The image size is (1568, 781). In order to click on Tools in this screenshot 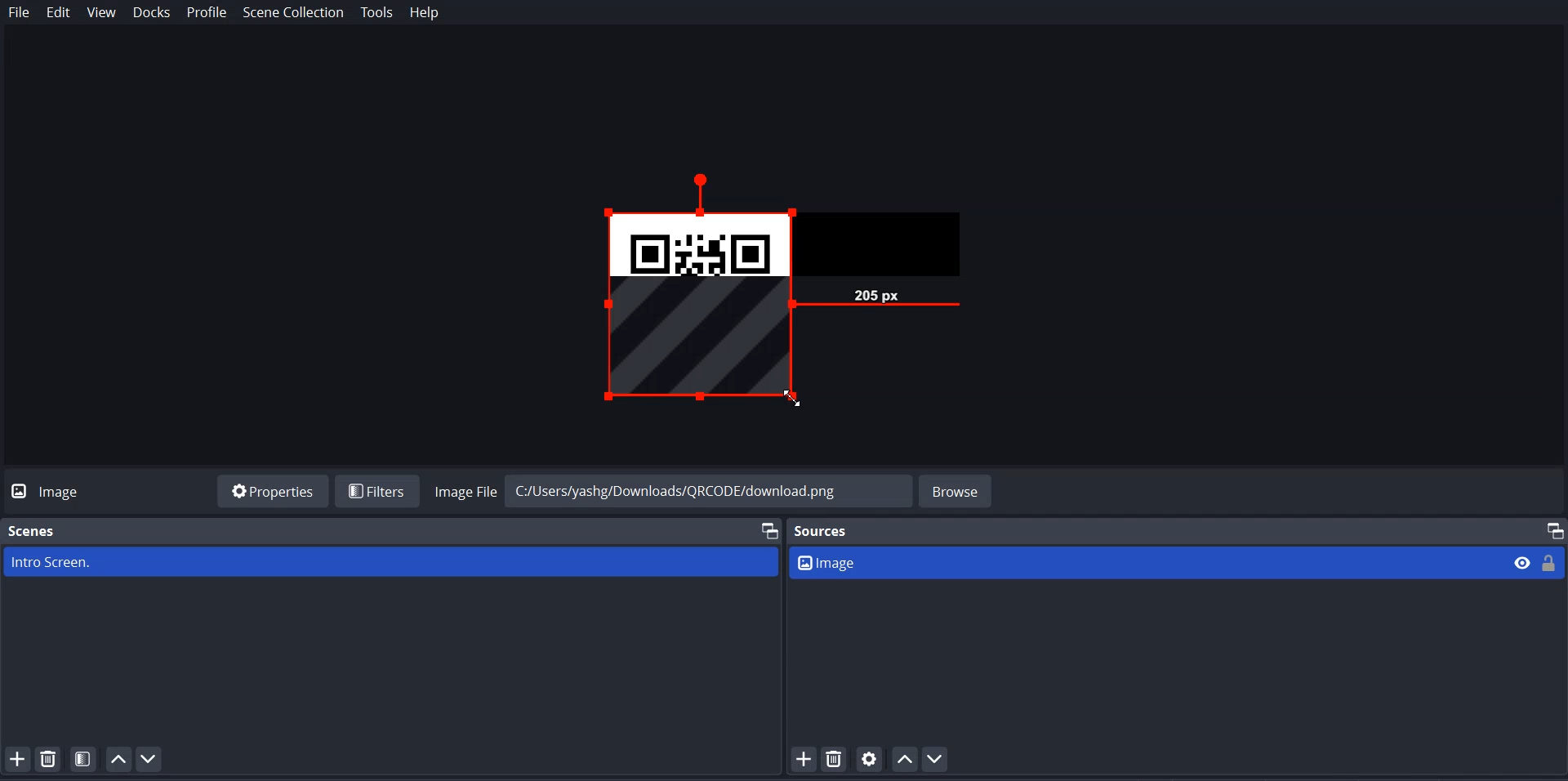, I will do `click(376, 13)`.